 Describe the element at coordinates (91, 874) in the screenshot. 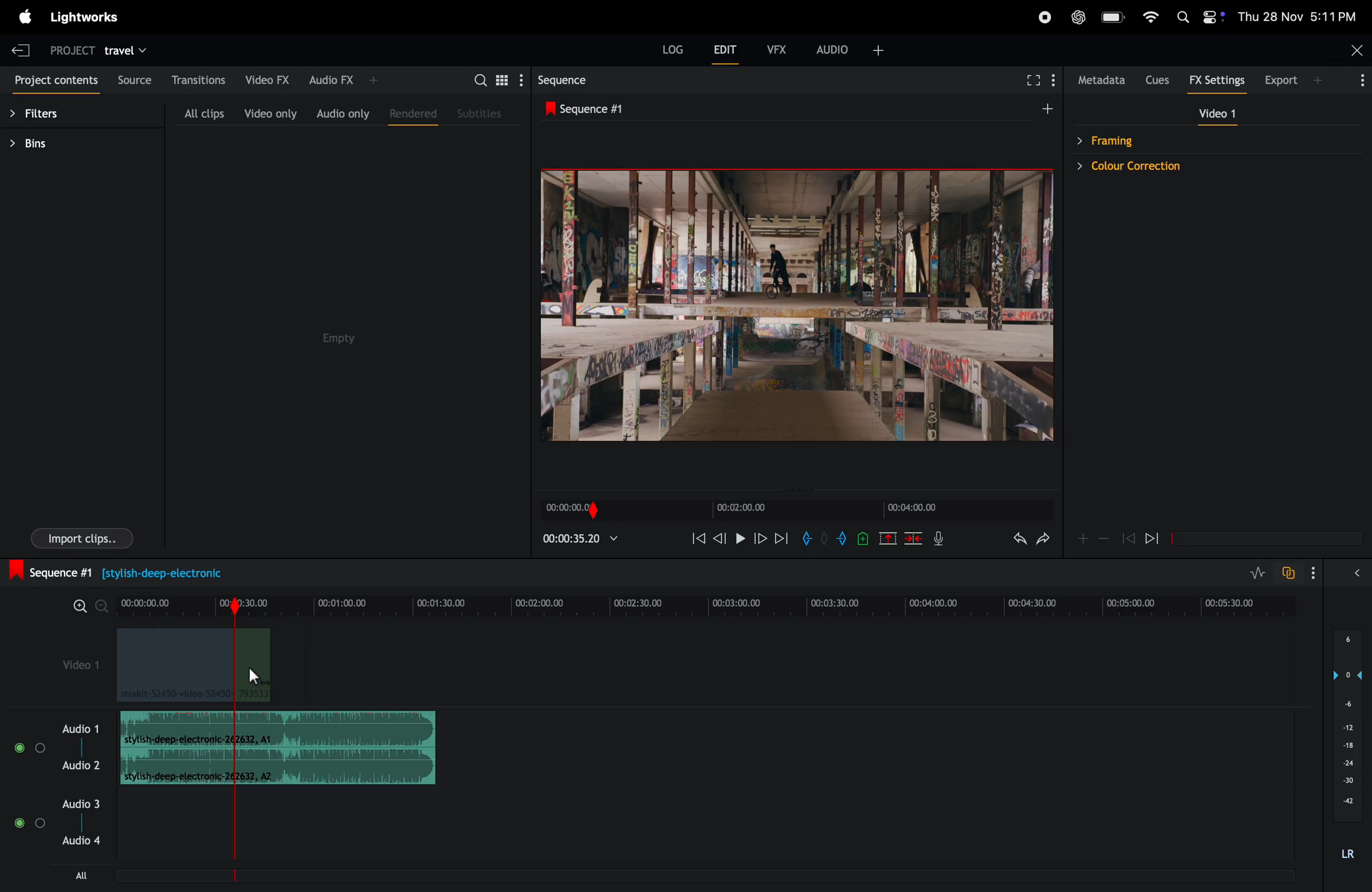

I see `All` at that location.